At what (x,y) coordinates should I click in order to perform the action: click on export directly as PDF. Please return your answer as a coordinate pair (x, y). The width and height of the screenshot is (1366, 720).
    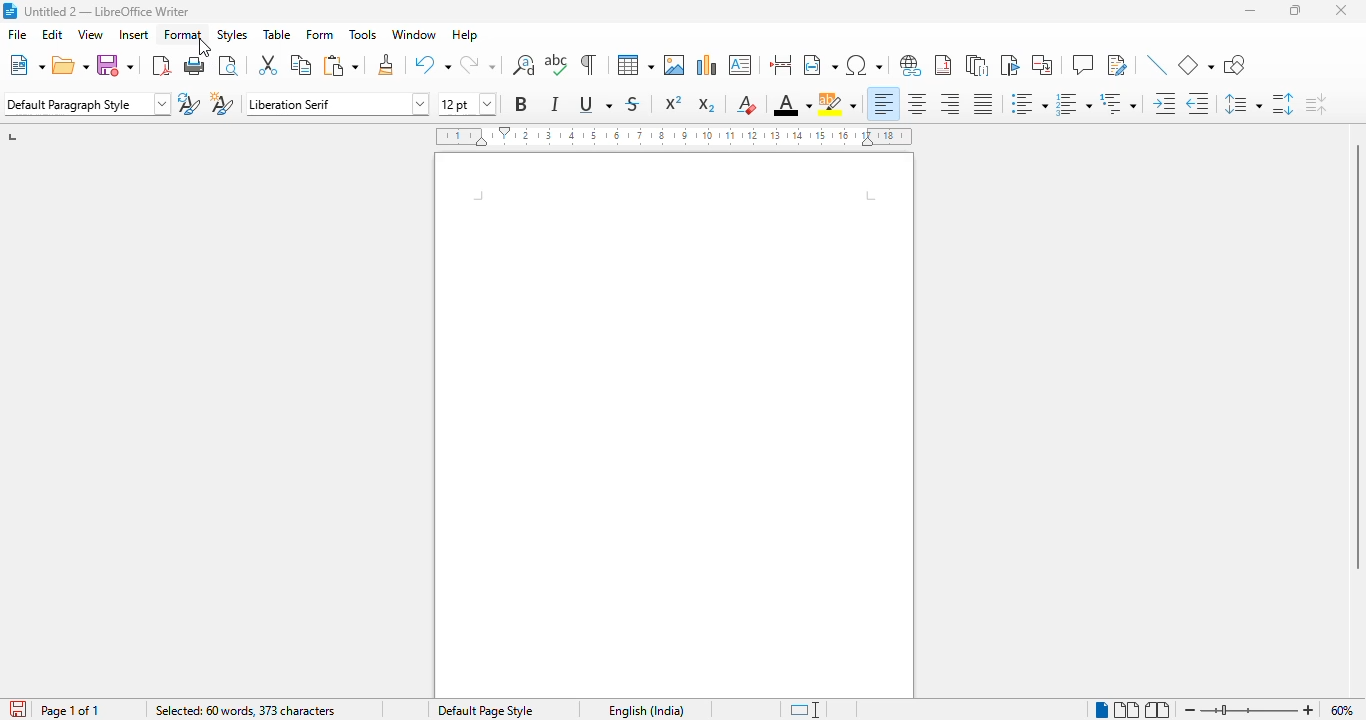
    Looking at the image, I should click on (162, 65).